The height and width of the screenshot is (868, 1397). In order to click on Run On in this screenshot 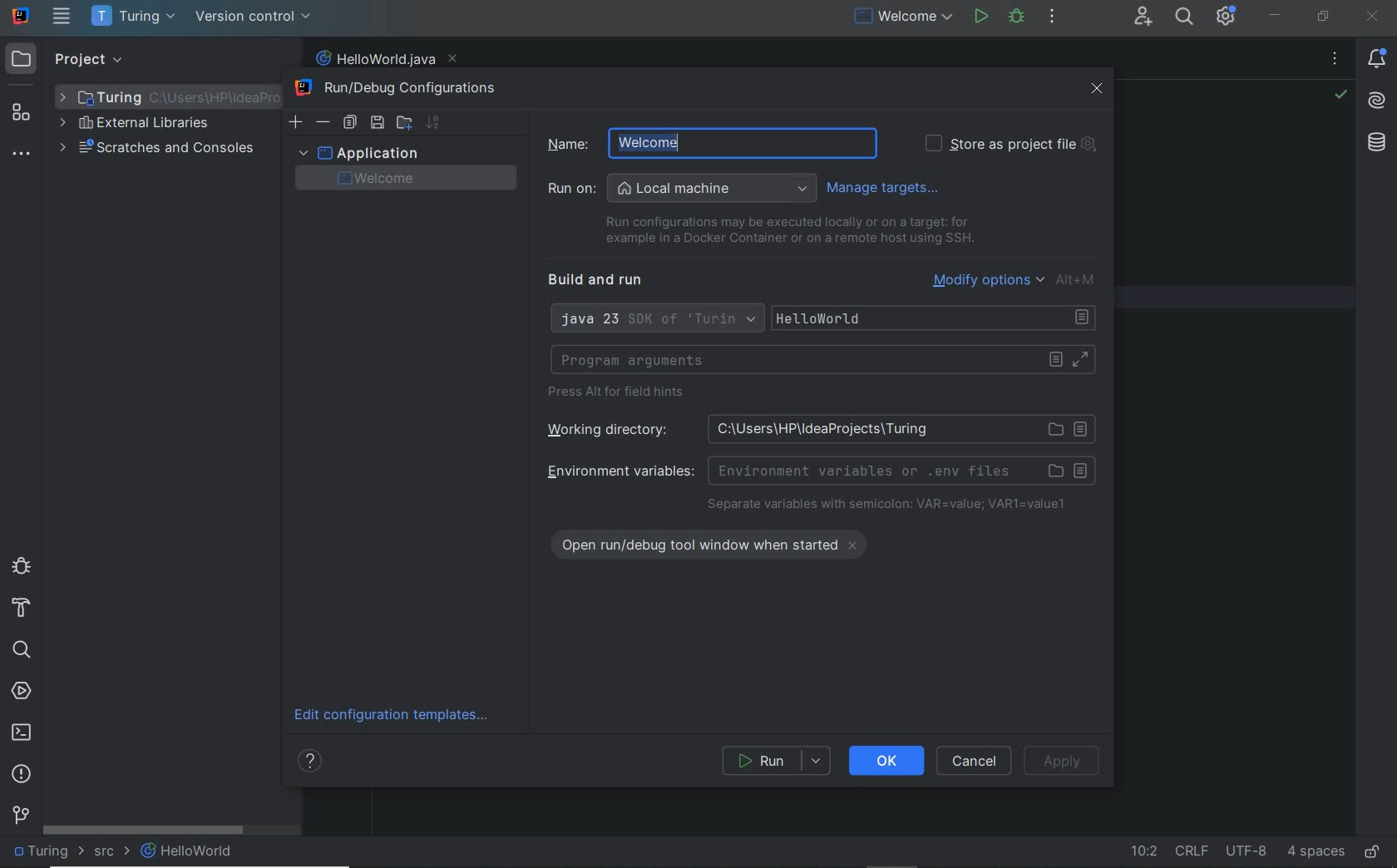, I will do `click(682, 189)`.